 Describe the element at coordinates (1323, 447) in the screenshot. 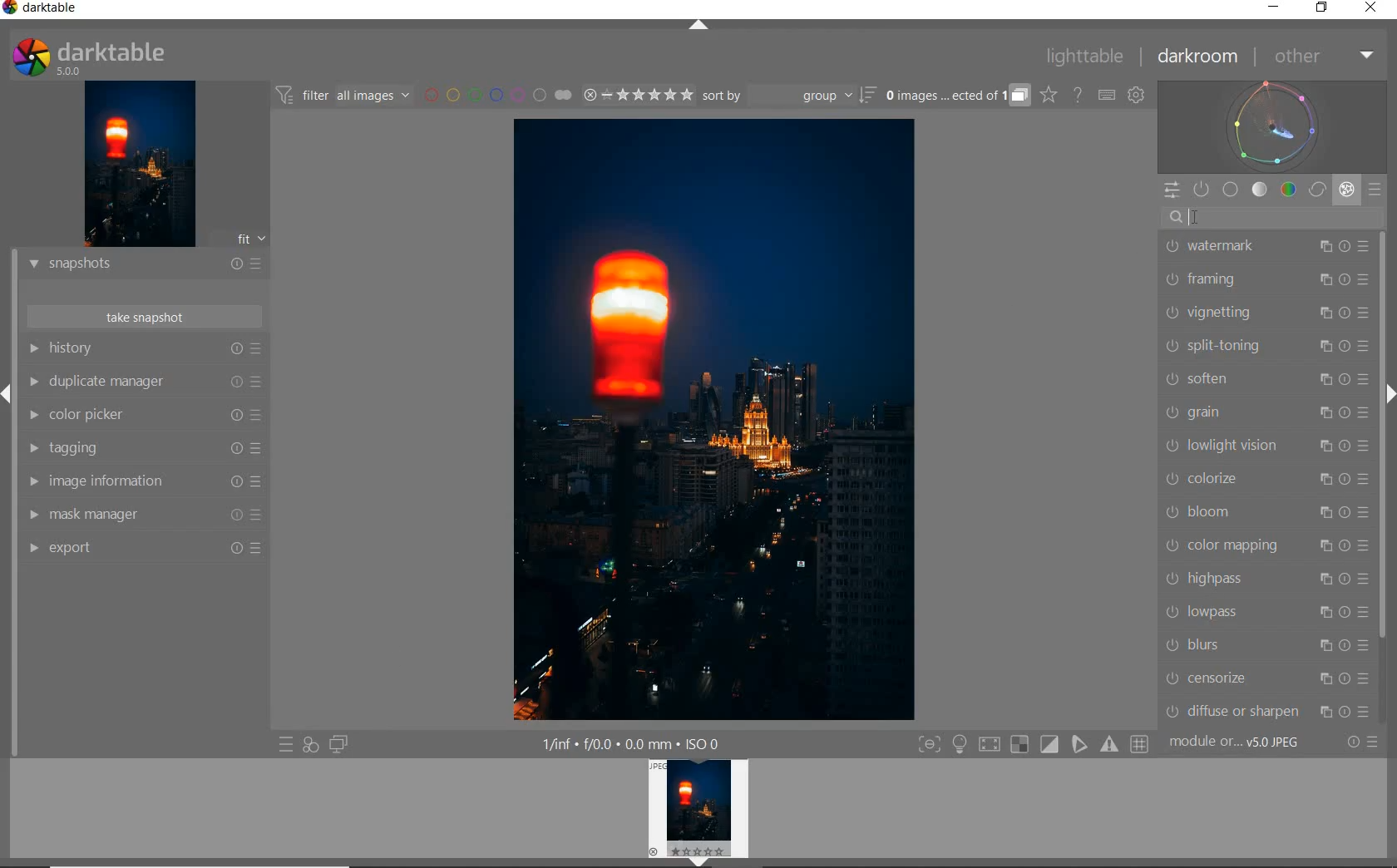

I see `Multiple instance` at that location.